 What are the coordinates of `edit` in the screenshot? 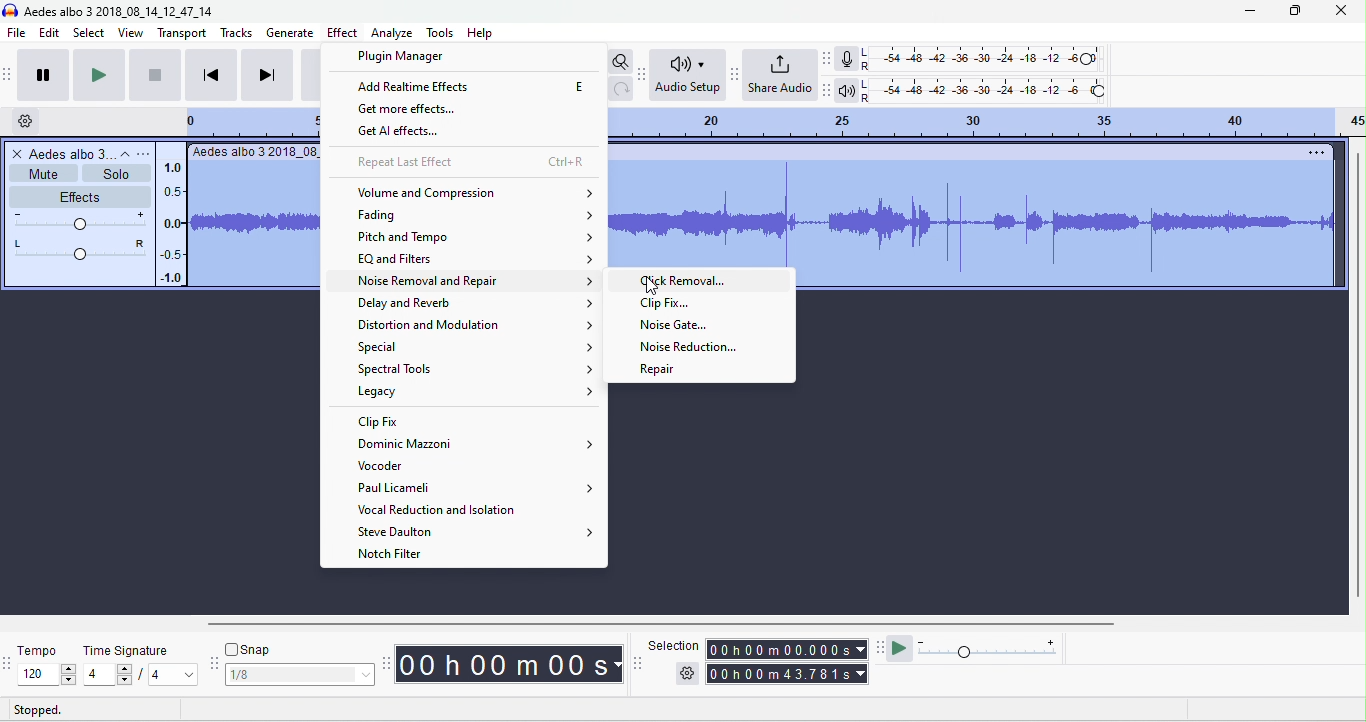 It's located at (50, 32).